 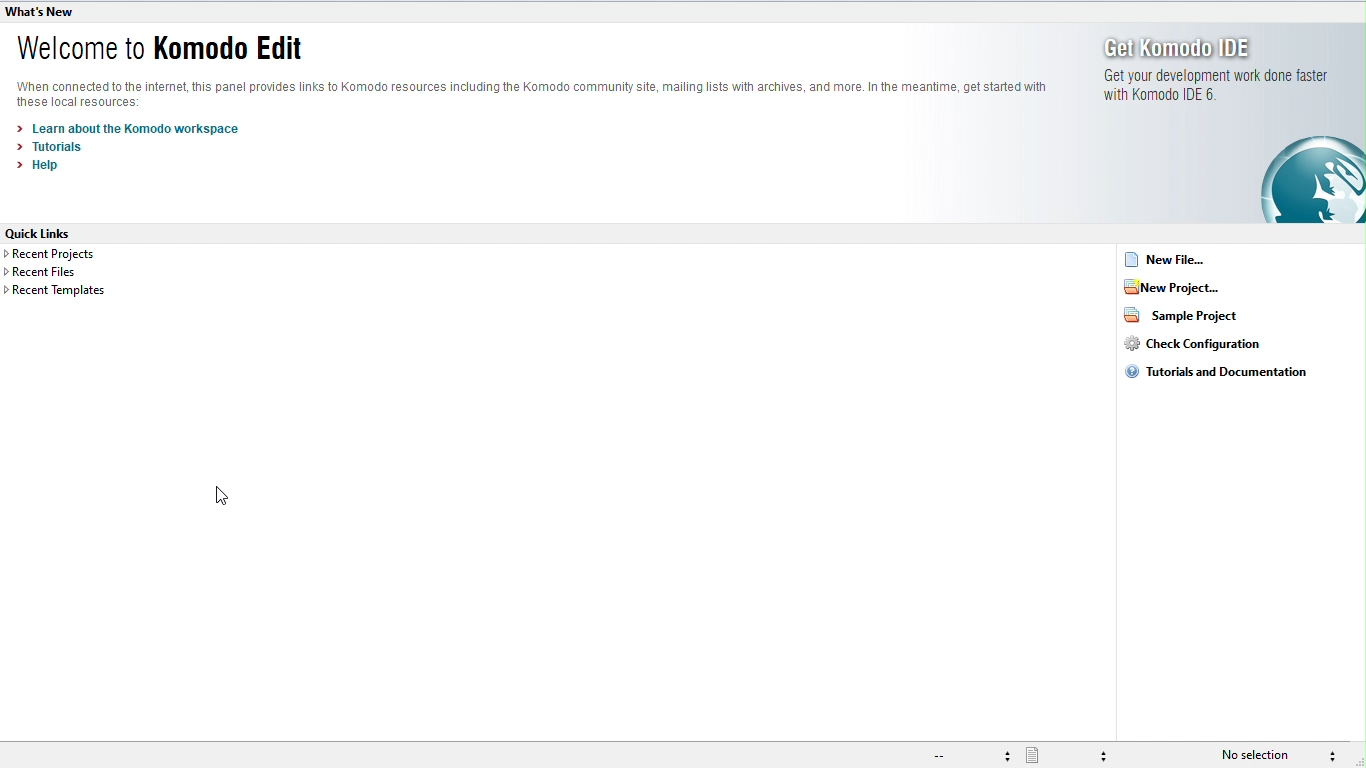 I want to click on recent project, so click(x=73, y=256).